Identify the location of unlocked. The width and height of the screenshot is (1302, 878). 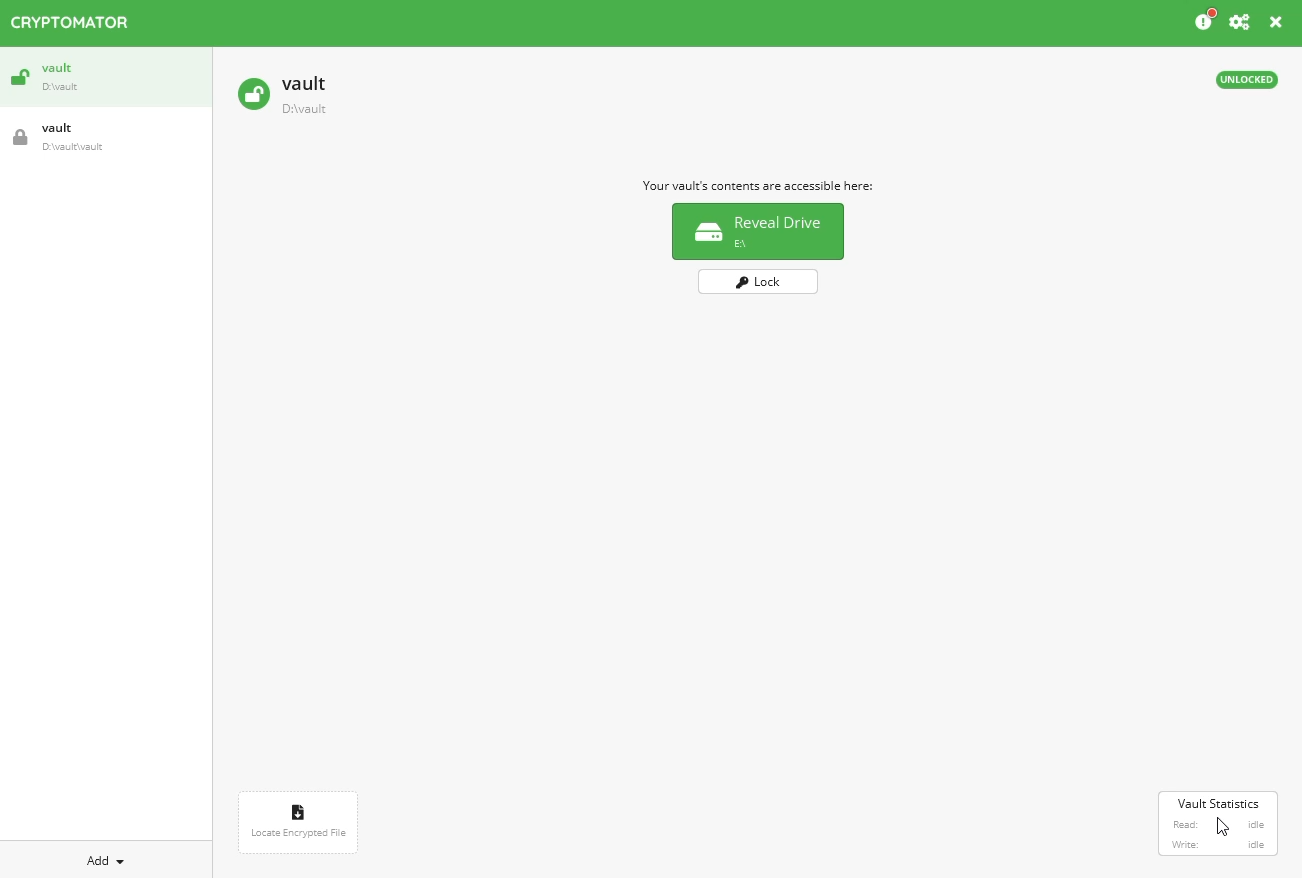
(1249, 80).